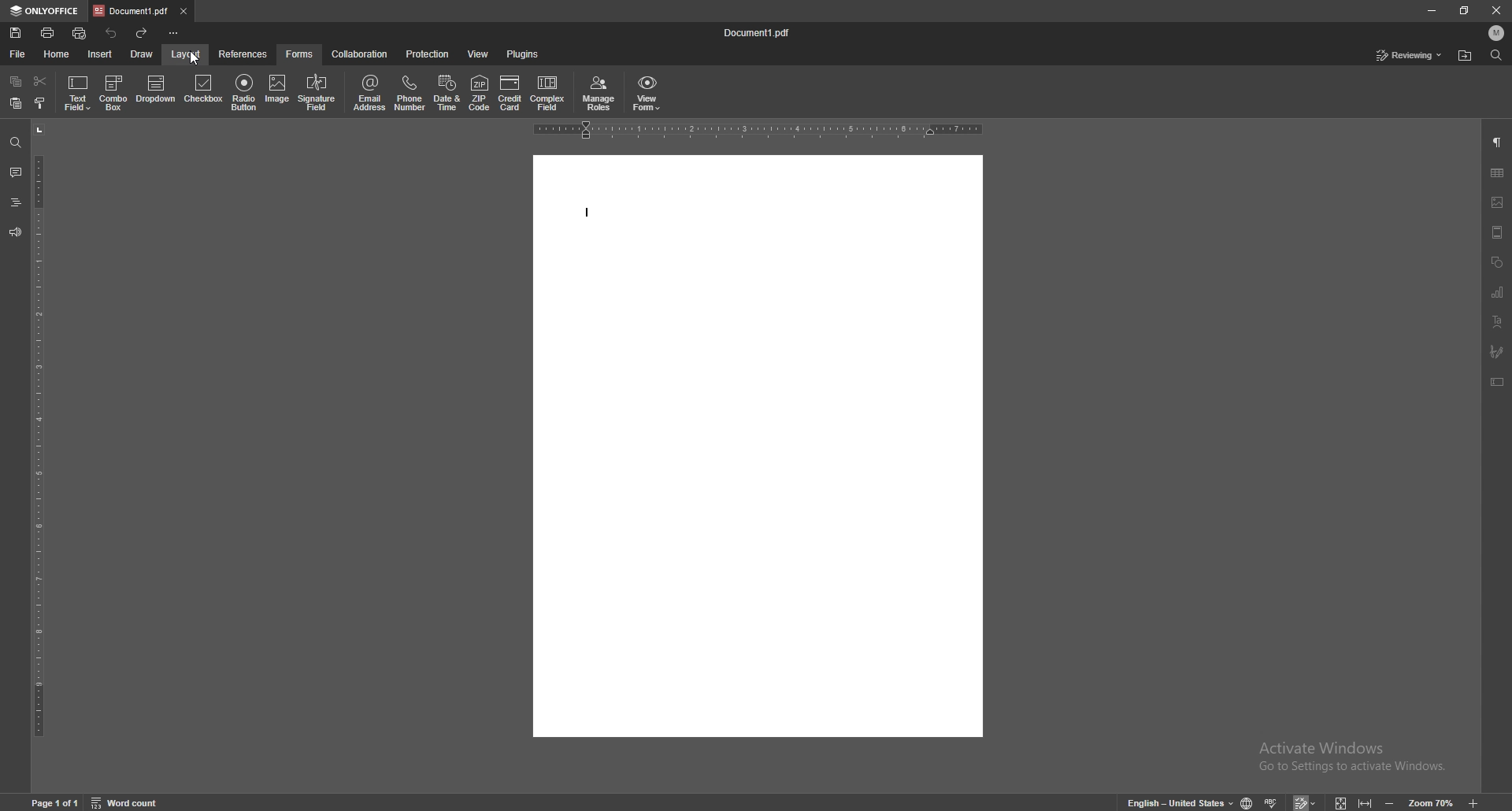  Describe the element at coordinates (510, 92) in the screenshot. I see `credit card` at that location.